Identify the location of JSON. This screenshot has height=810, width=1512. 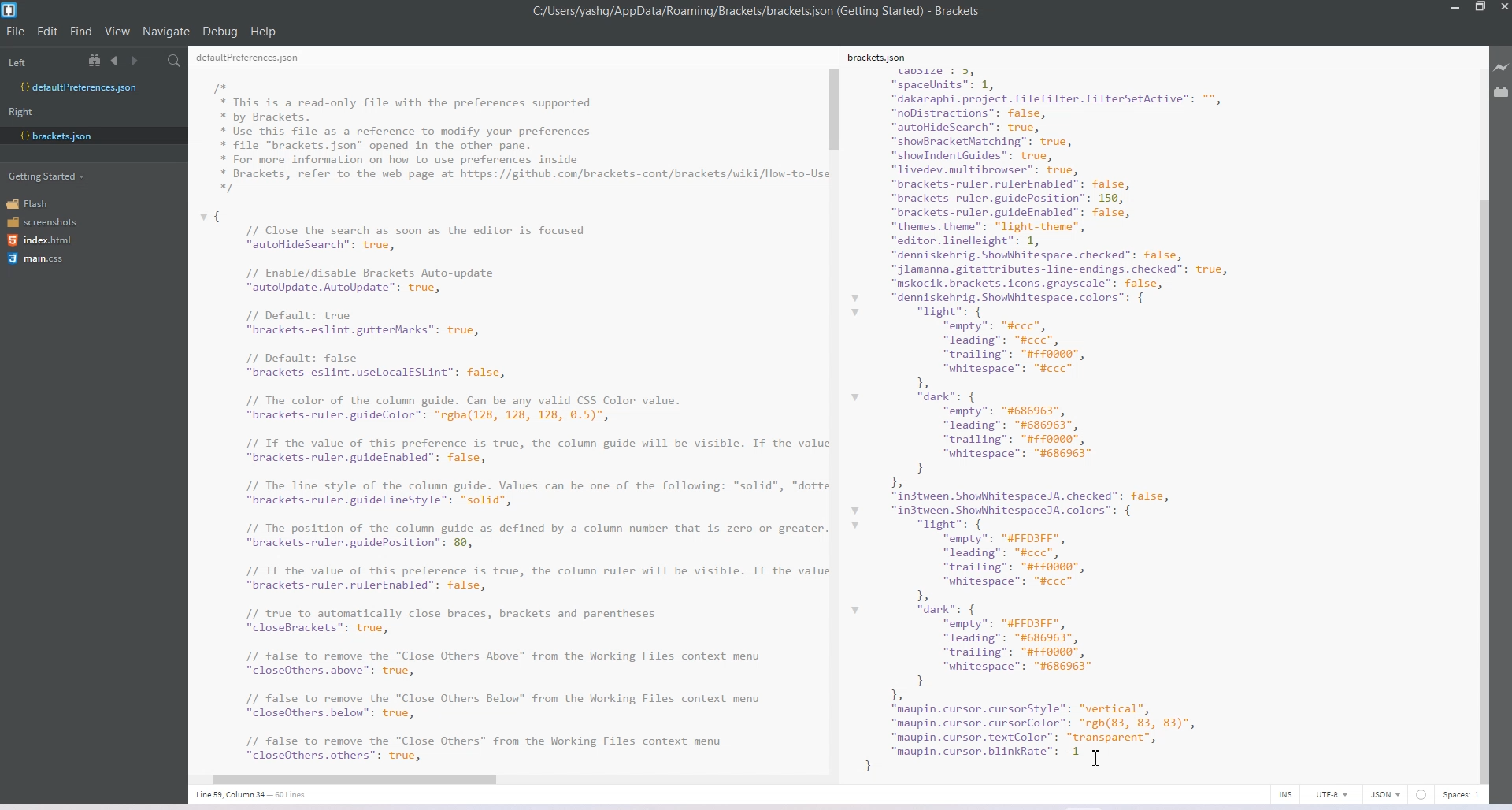
(1387, 794).